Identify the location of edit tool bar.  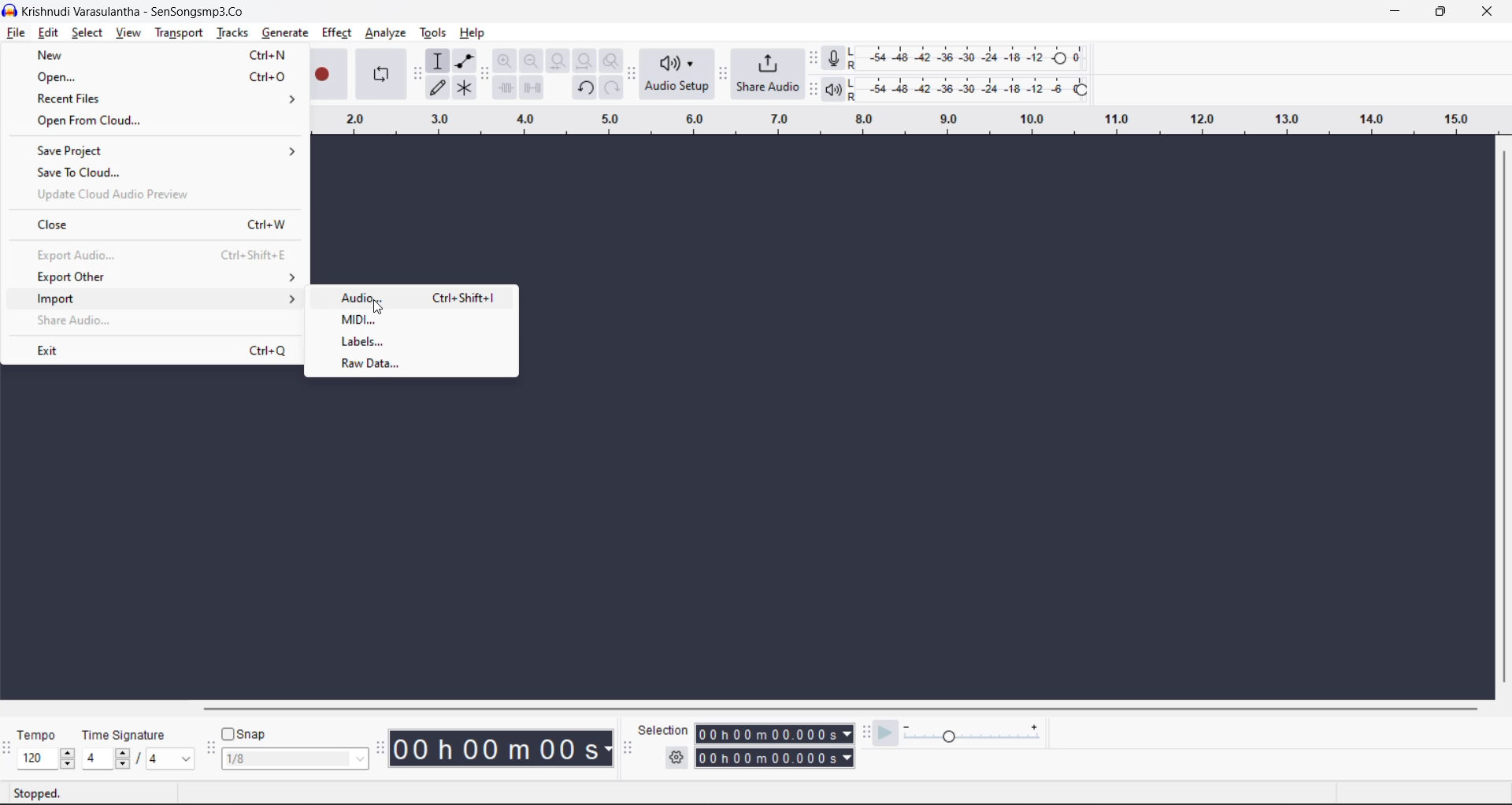
(483, 74).